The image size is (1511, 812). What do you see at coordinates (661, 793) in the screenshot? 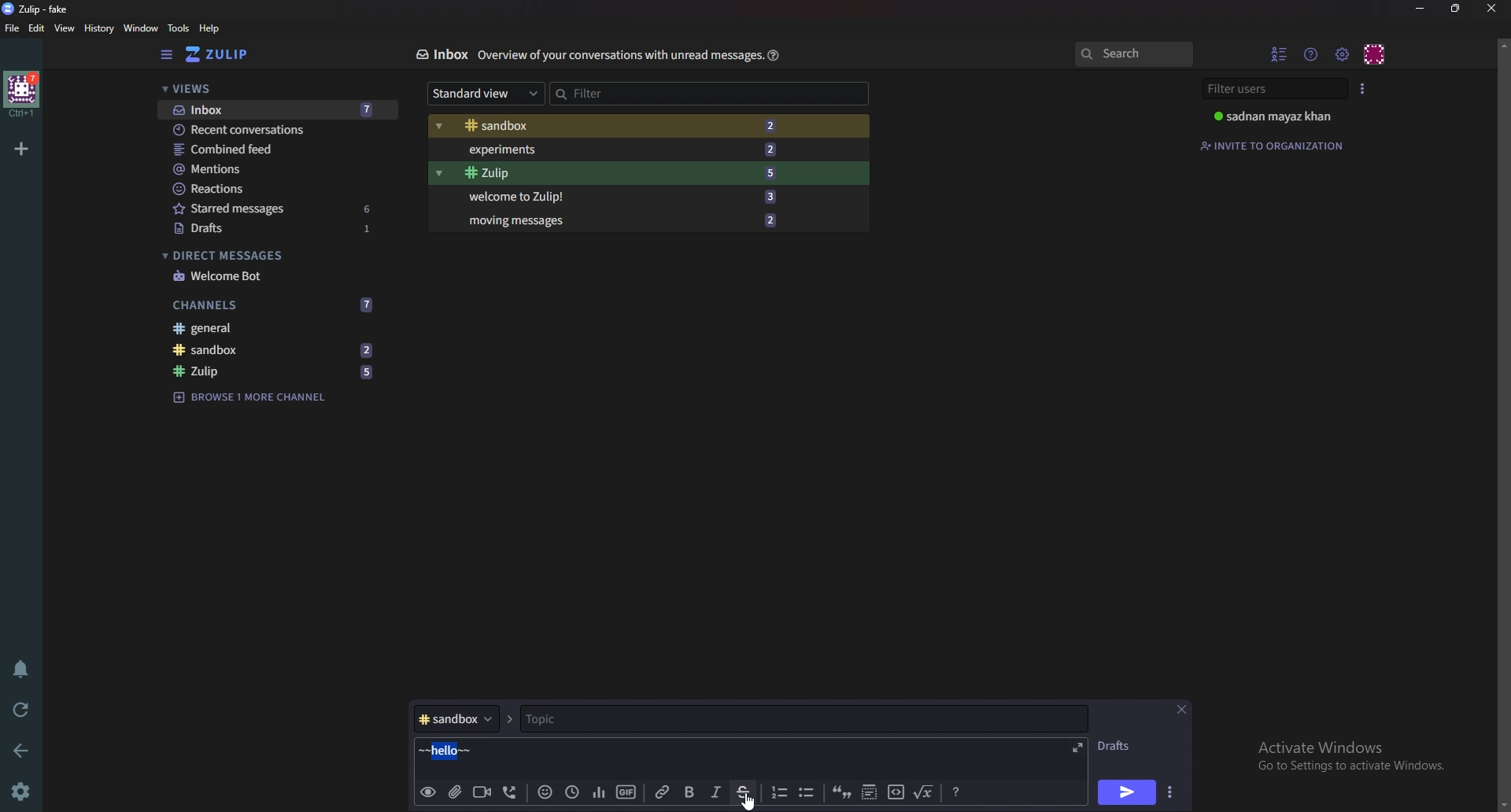
I see `Link` at bounding box center [661, 793].